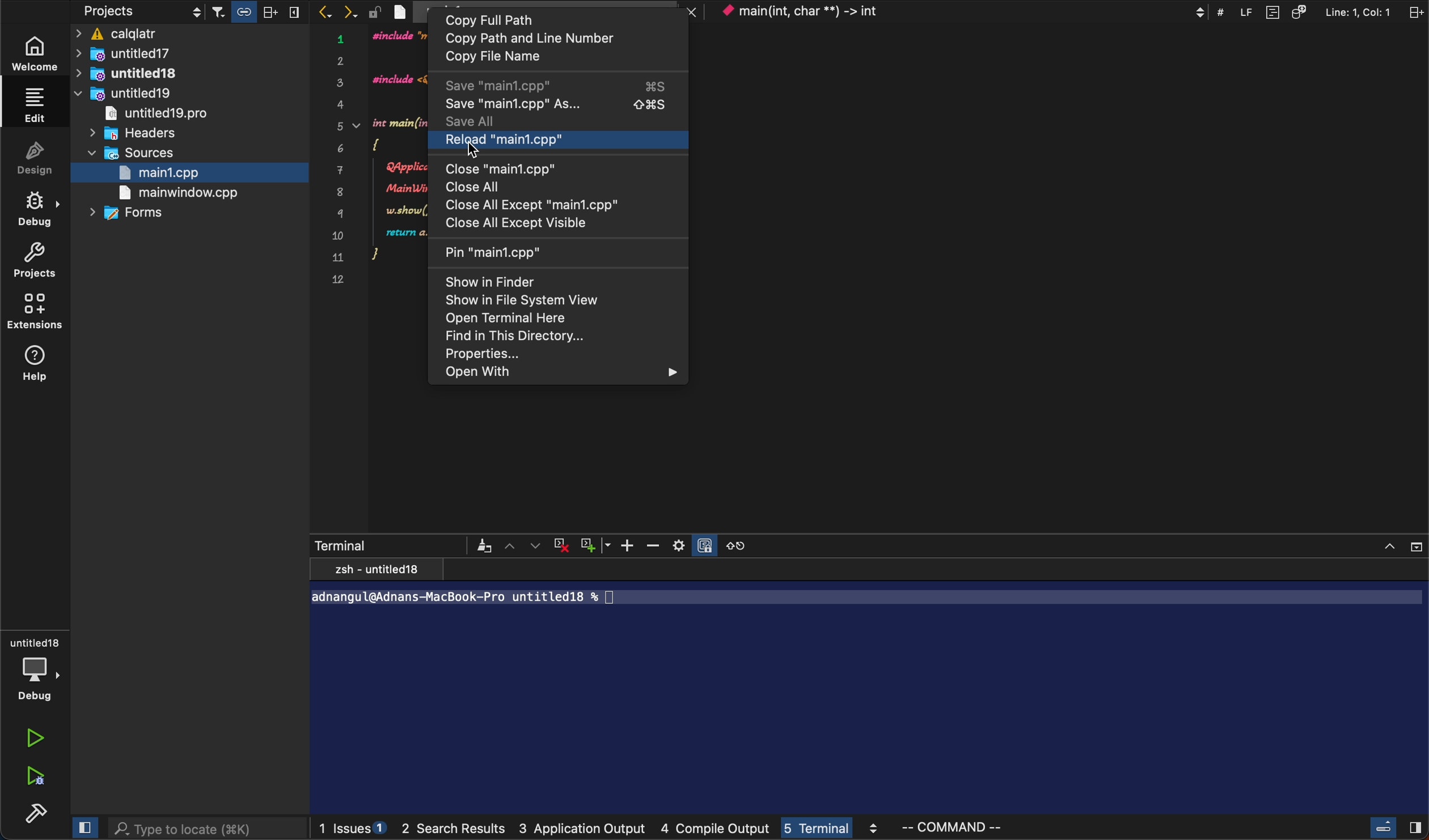  What do you see at coordinates (526, 224) in the screenshot?
I see `close except visible` at bounding box center [526, 224].